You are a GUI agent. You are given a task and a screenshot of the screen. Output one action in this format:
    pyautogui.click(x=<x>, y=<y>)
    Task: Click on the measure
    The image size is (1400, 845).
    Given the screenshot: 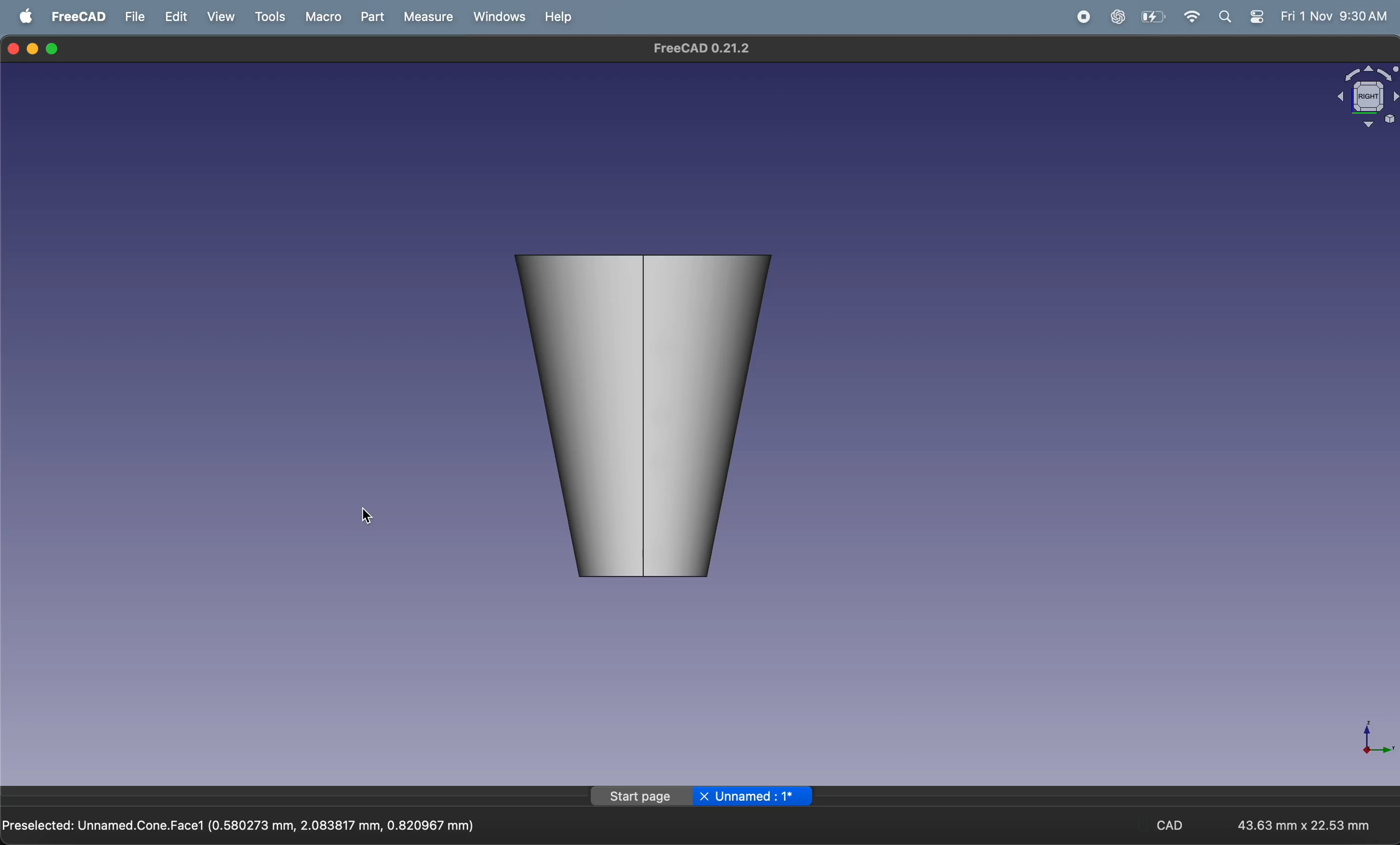 What is the action you would take?
    pyautogui.click(x=424, y=17)
    